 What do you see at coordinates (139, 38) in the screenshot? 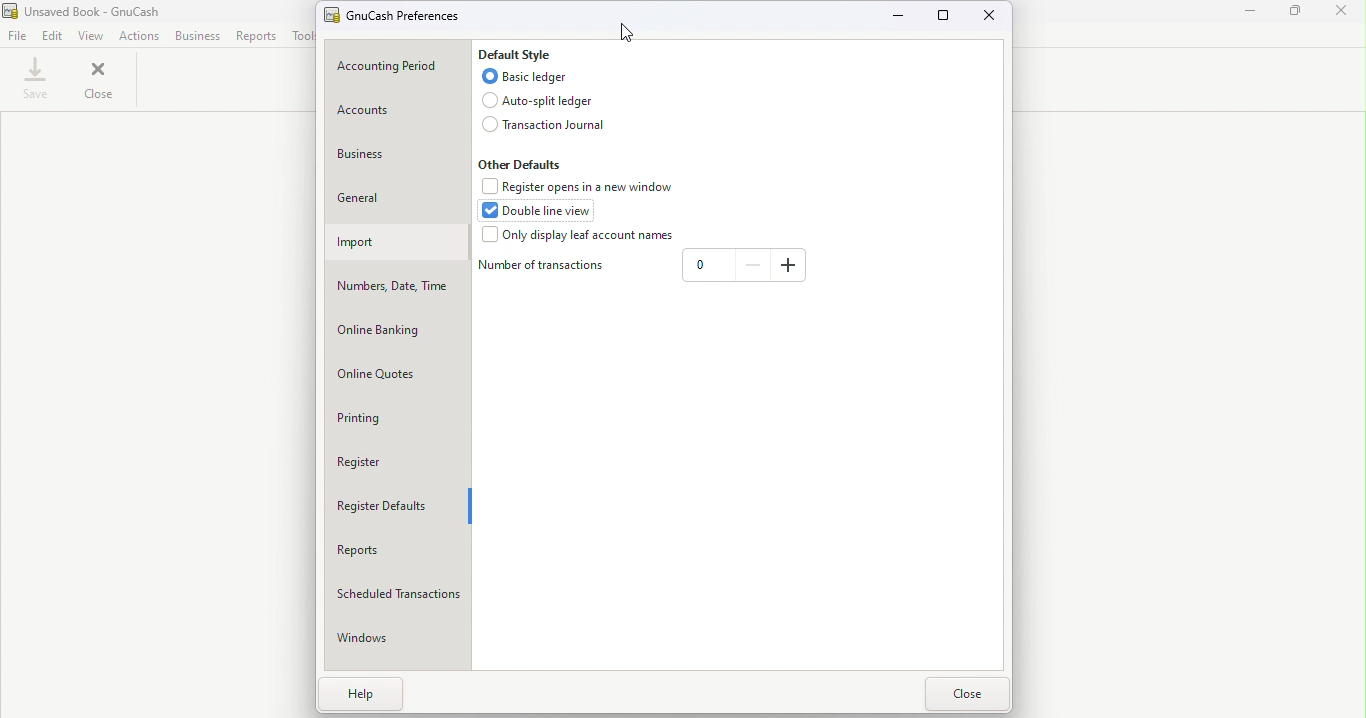
I see `Actions` at bounding box center [139, 38].